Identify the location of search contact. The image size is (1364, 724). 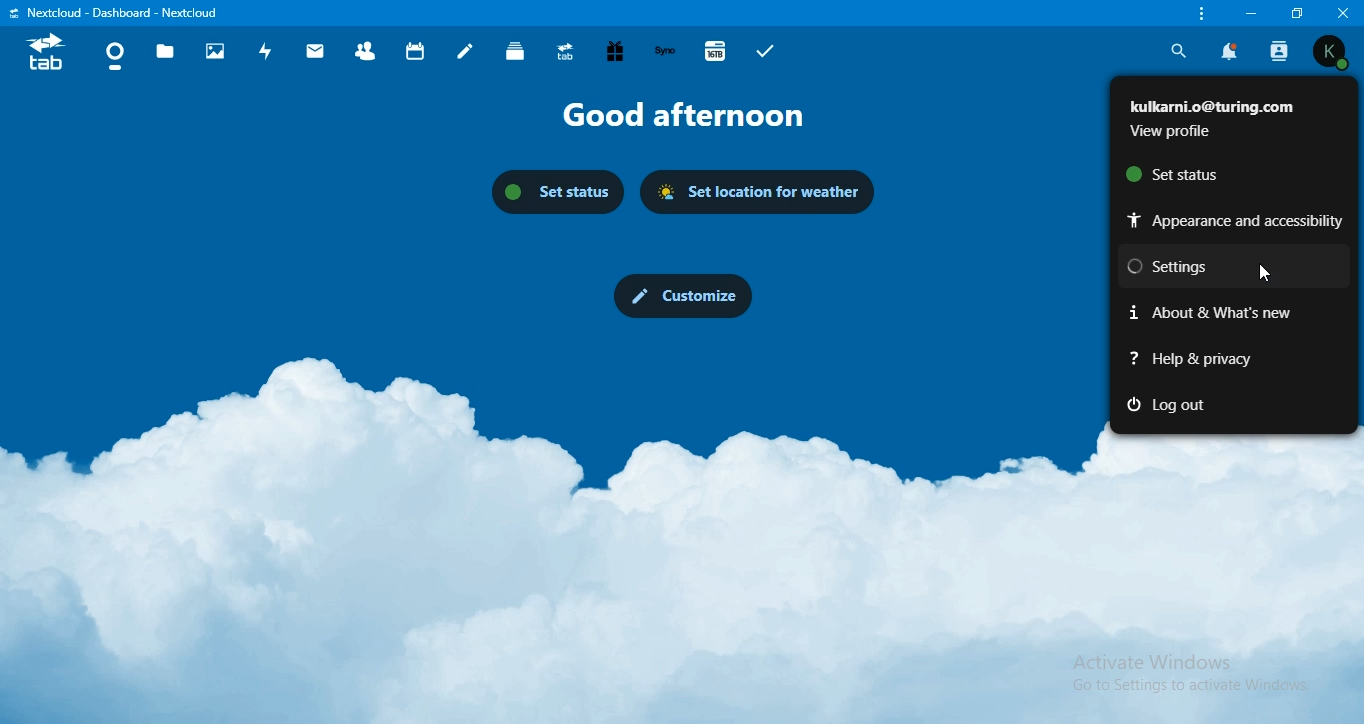
(1281, 51).